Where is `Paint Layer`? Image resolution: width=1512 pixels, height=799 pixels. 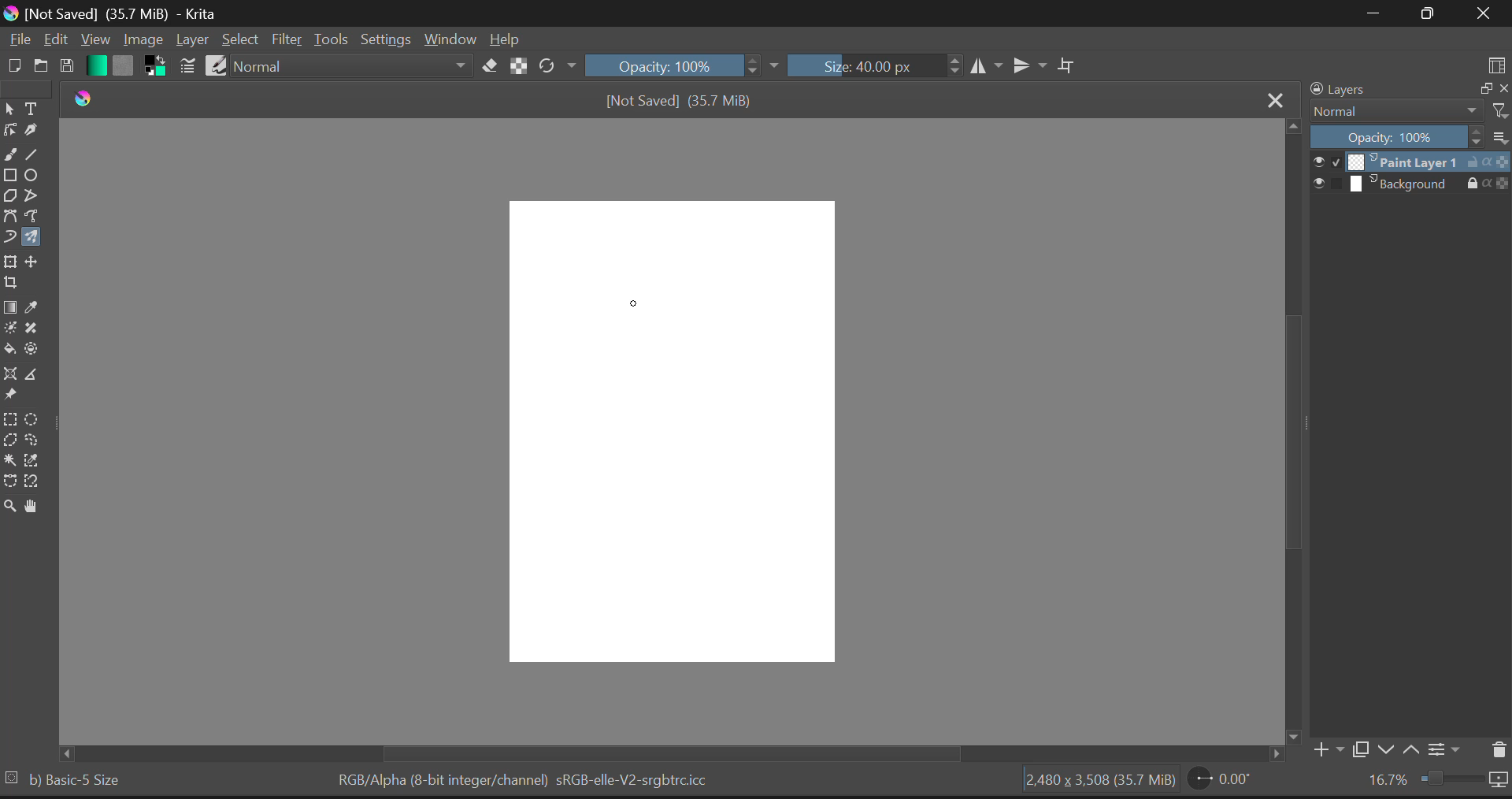
Paint Layer is located at coordinates (1411, 163).